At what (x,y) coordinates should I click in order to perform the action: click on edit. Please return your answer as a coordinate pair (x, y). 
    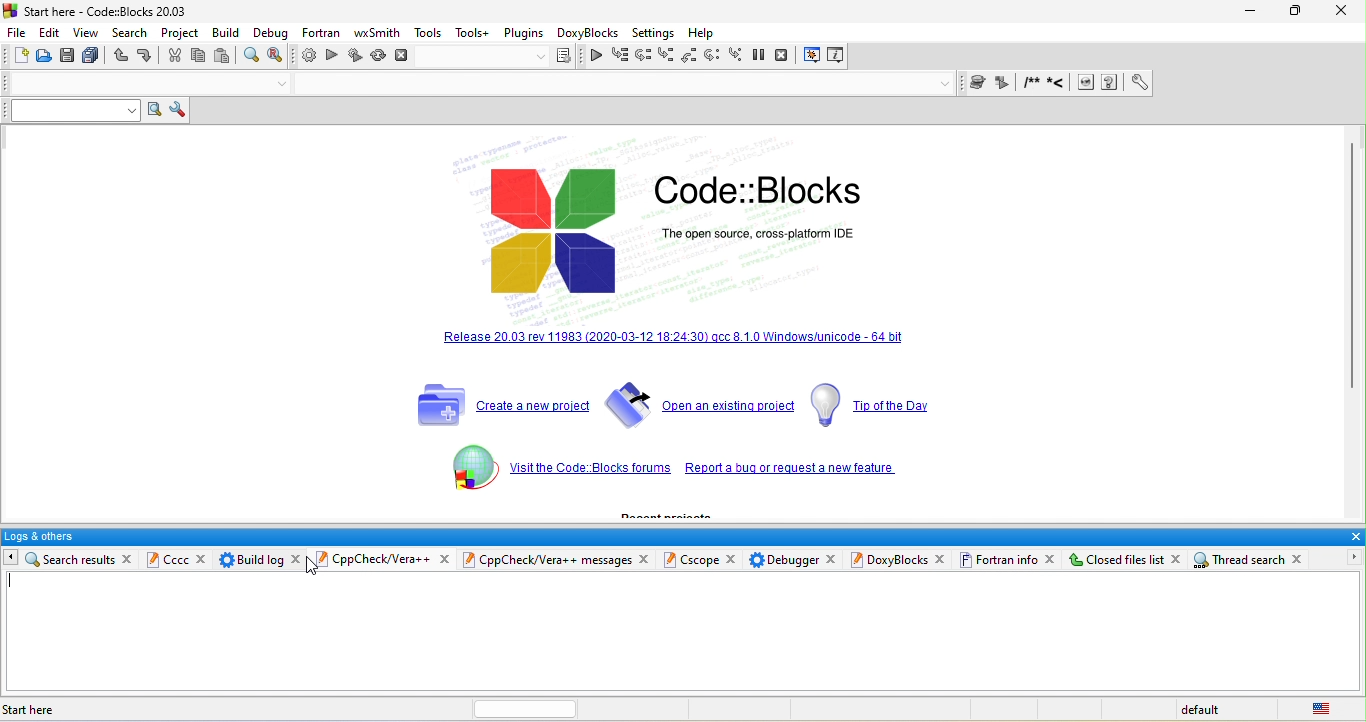
    Looking at the image, I should click on (50, 32).